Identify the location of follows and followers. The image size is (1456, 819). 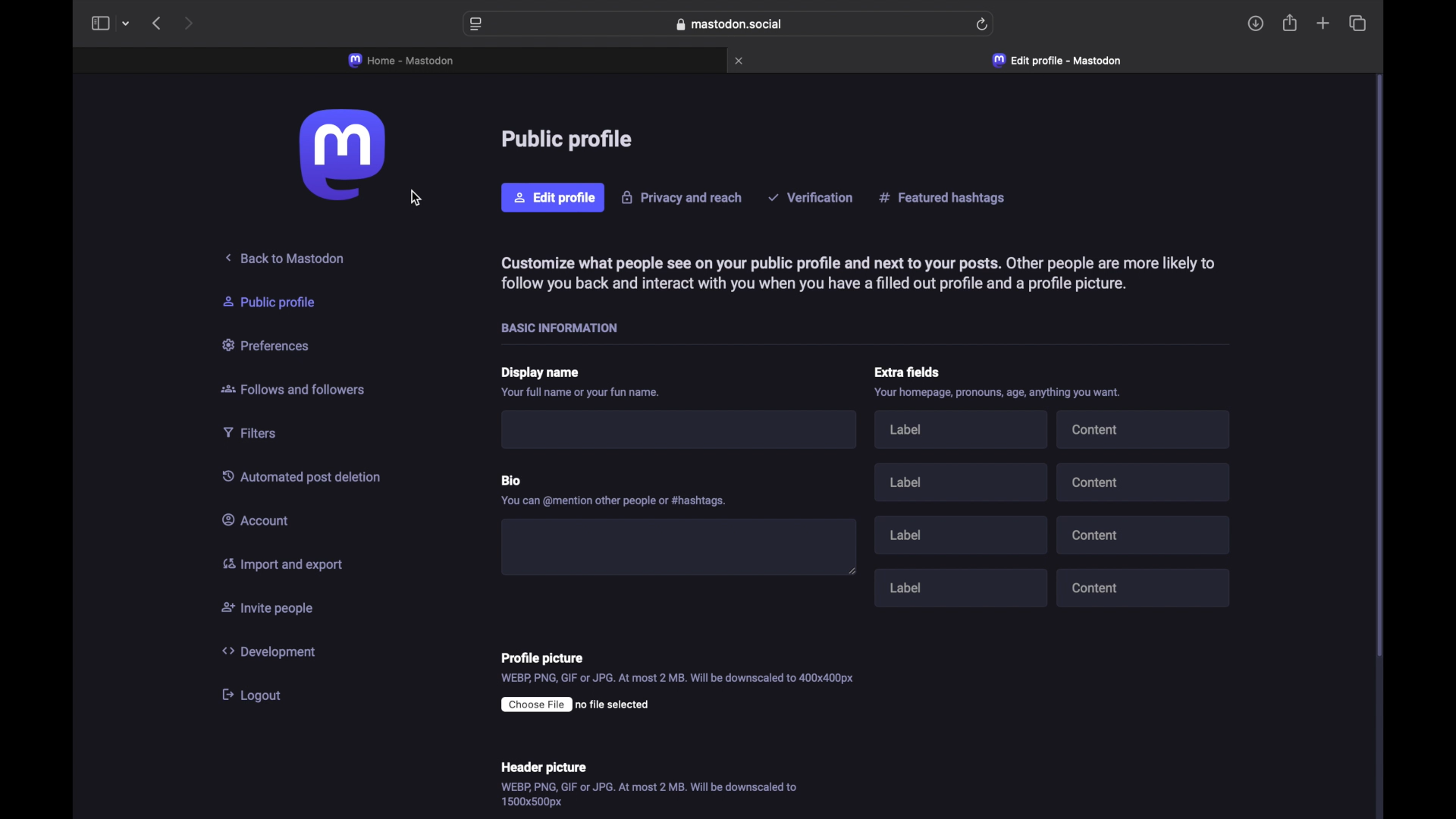
(296, 390).